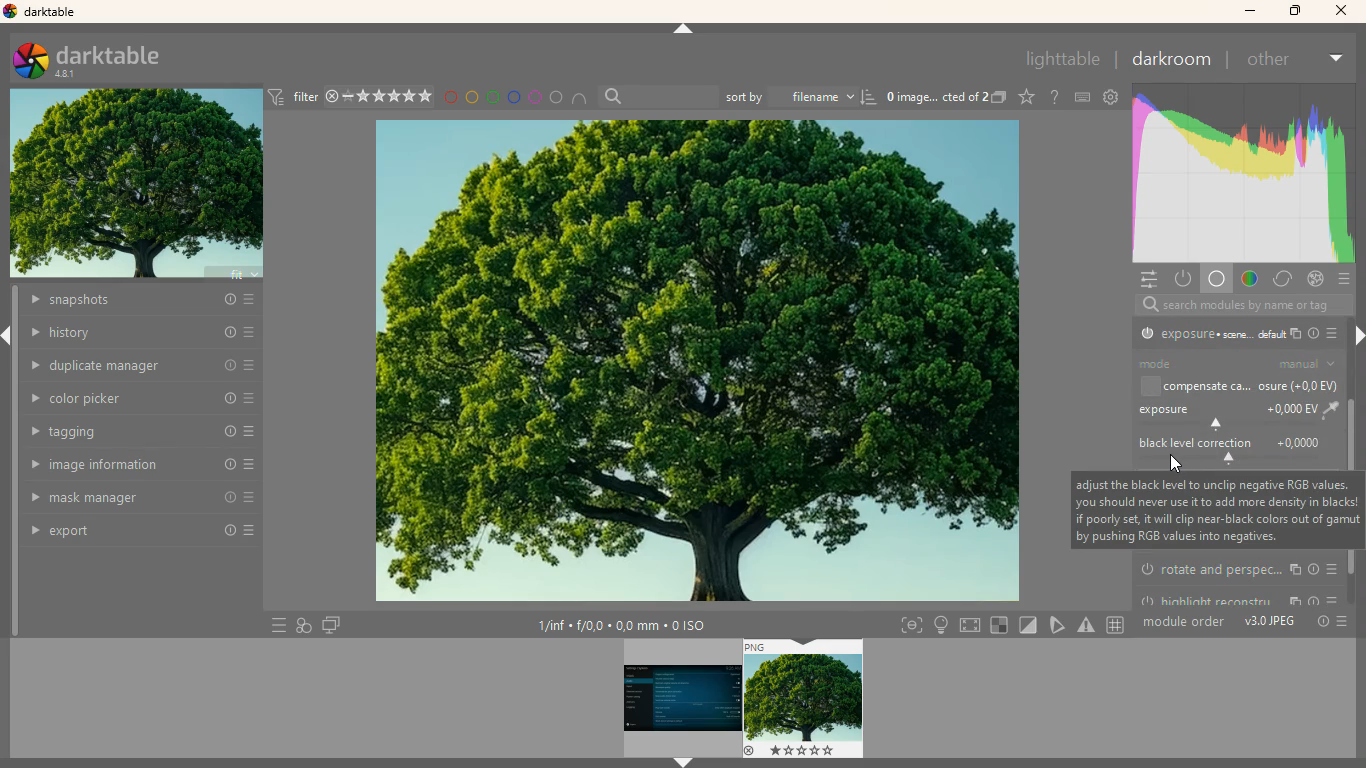 The height and width of the screenshot is (768, 1366). Describe the element at coordinates (332, 624) in the screenshot. I see `screen` at that location.